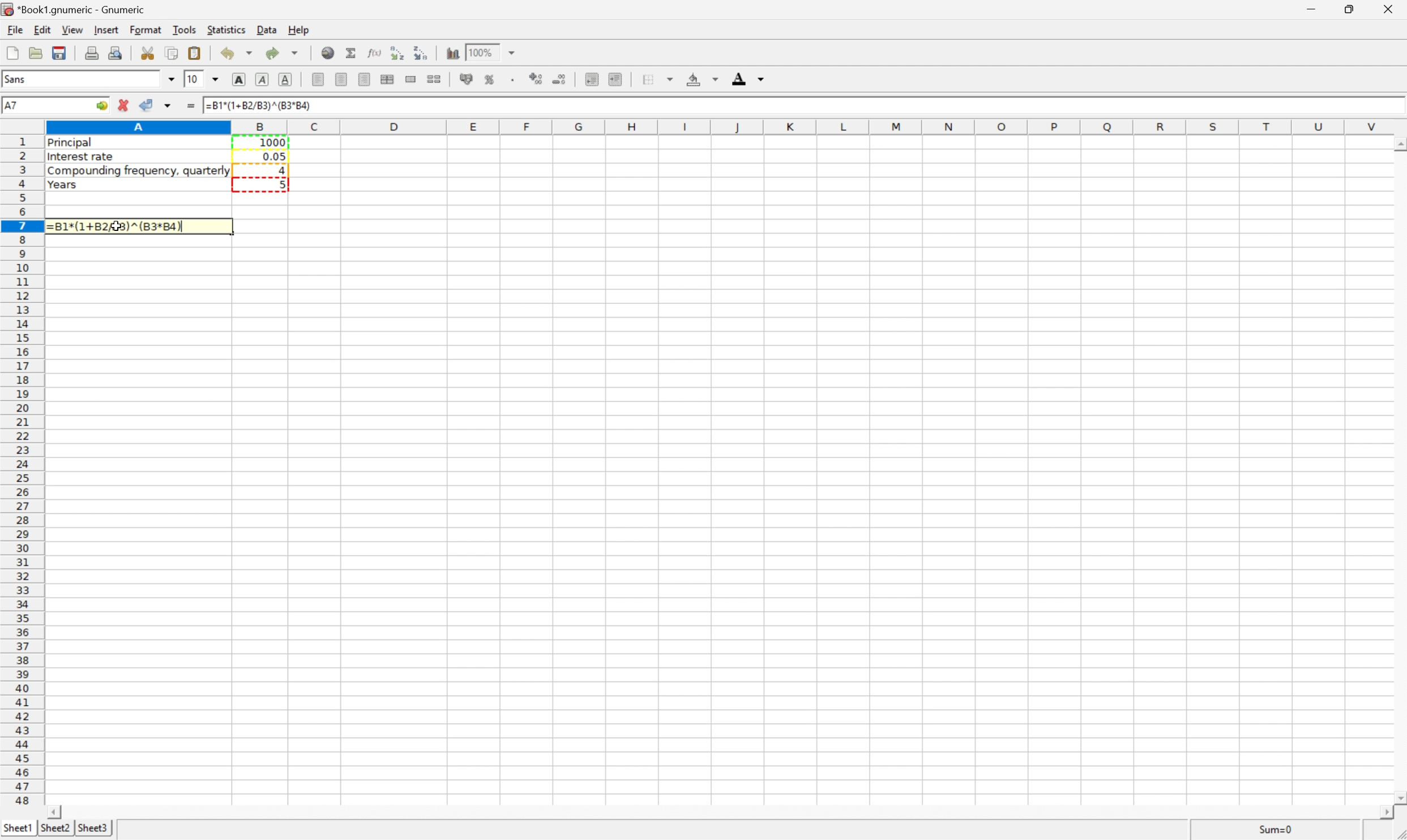 This screenshot has height=840, width=1407. Describe the element at coordinates (194, 52) in the screenshot. I see `paste` at that location.